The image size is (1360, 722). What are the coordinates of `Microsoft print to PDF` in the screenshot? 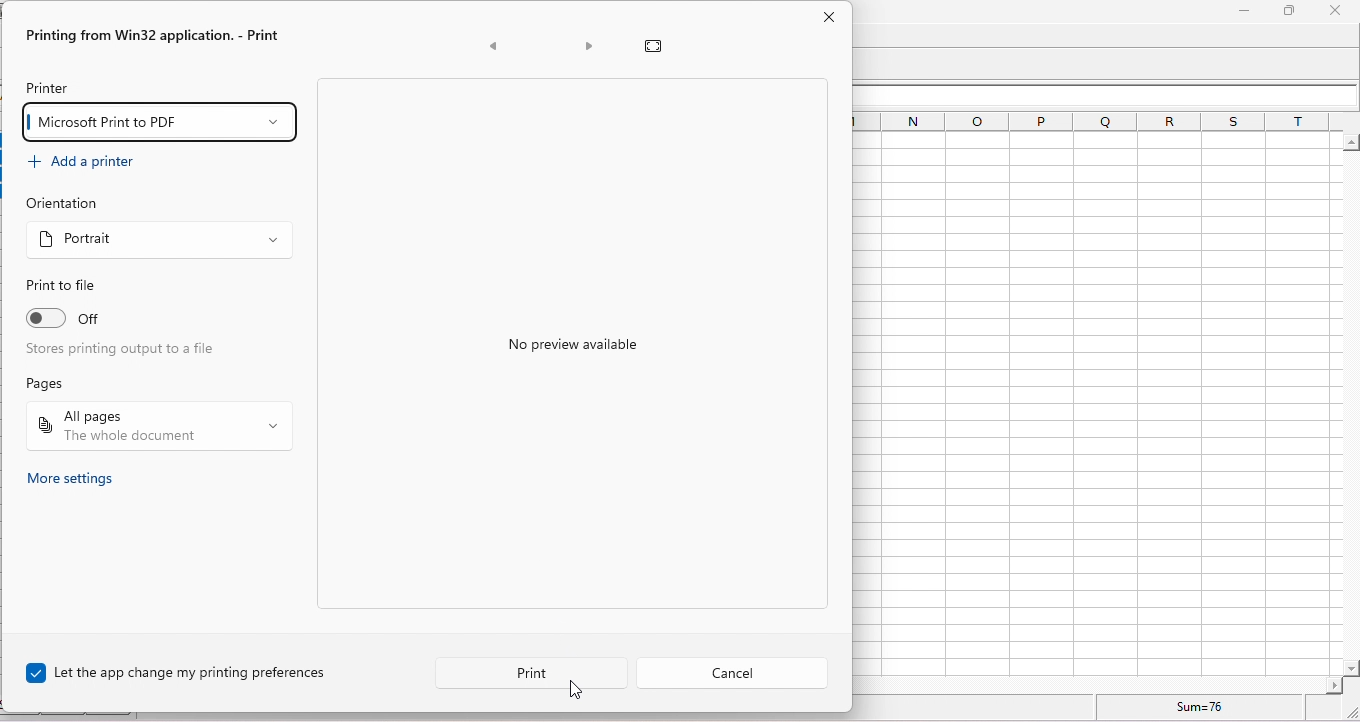 It's located at (163, 123).